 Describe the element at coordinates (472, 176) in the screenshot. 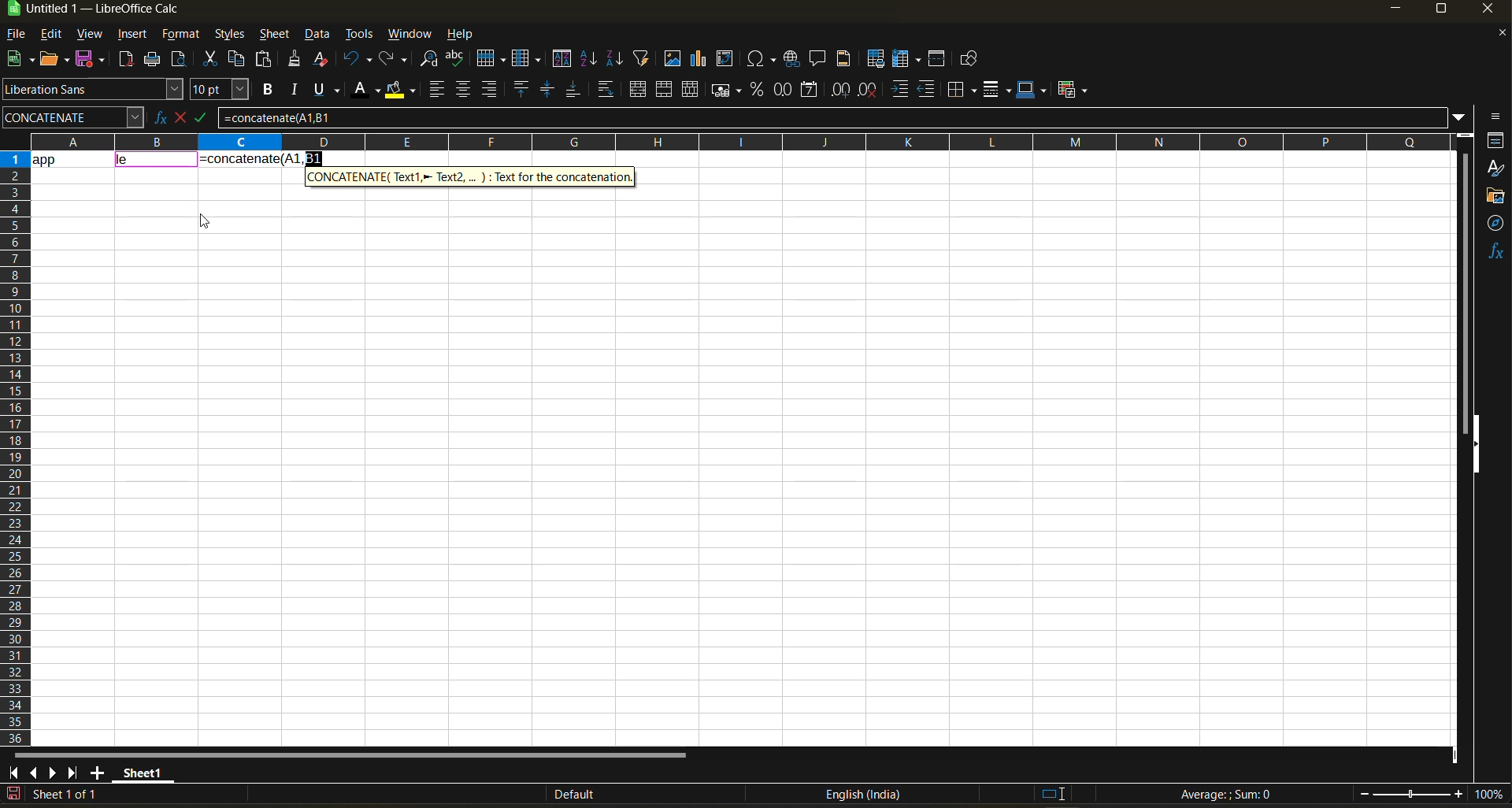

I see `tool tip` at that location.